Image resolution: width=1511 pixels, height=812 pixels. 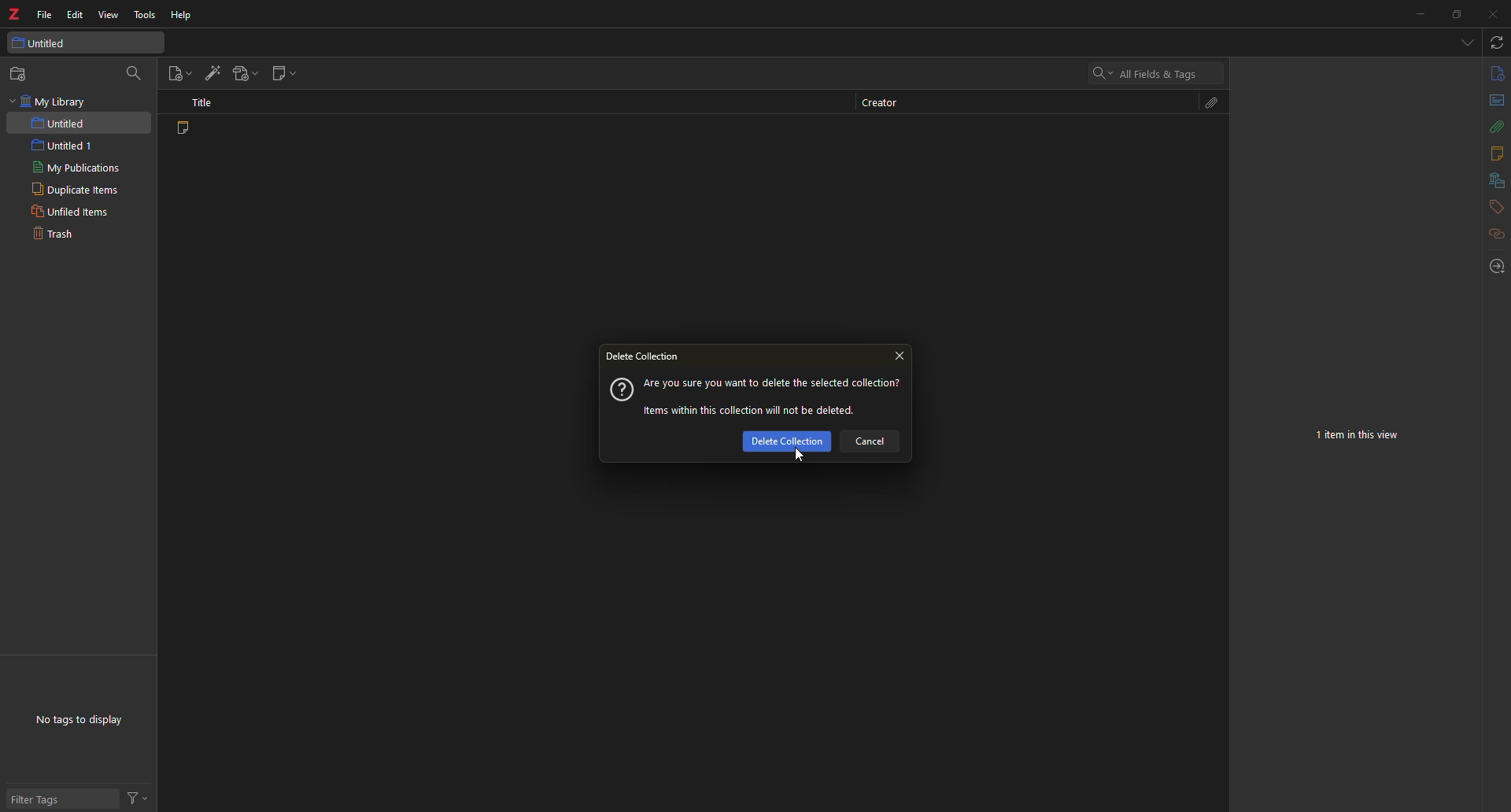 I want to click on new item, so click(x=178, y=74).